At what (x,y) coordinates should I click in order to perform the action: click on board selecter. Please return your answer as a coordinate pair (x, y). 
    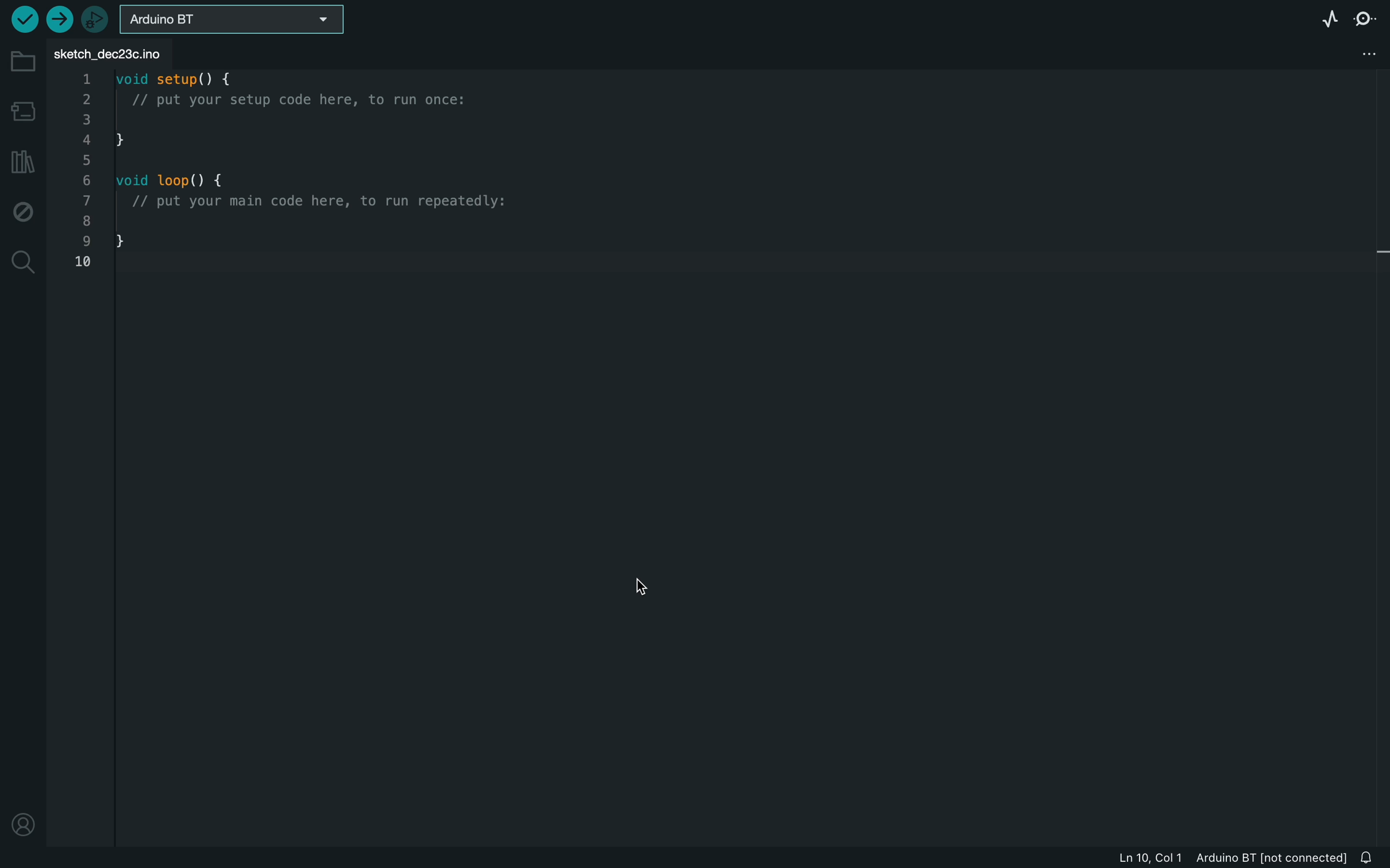
    Looking at the image, I should click on (238, 21).